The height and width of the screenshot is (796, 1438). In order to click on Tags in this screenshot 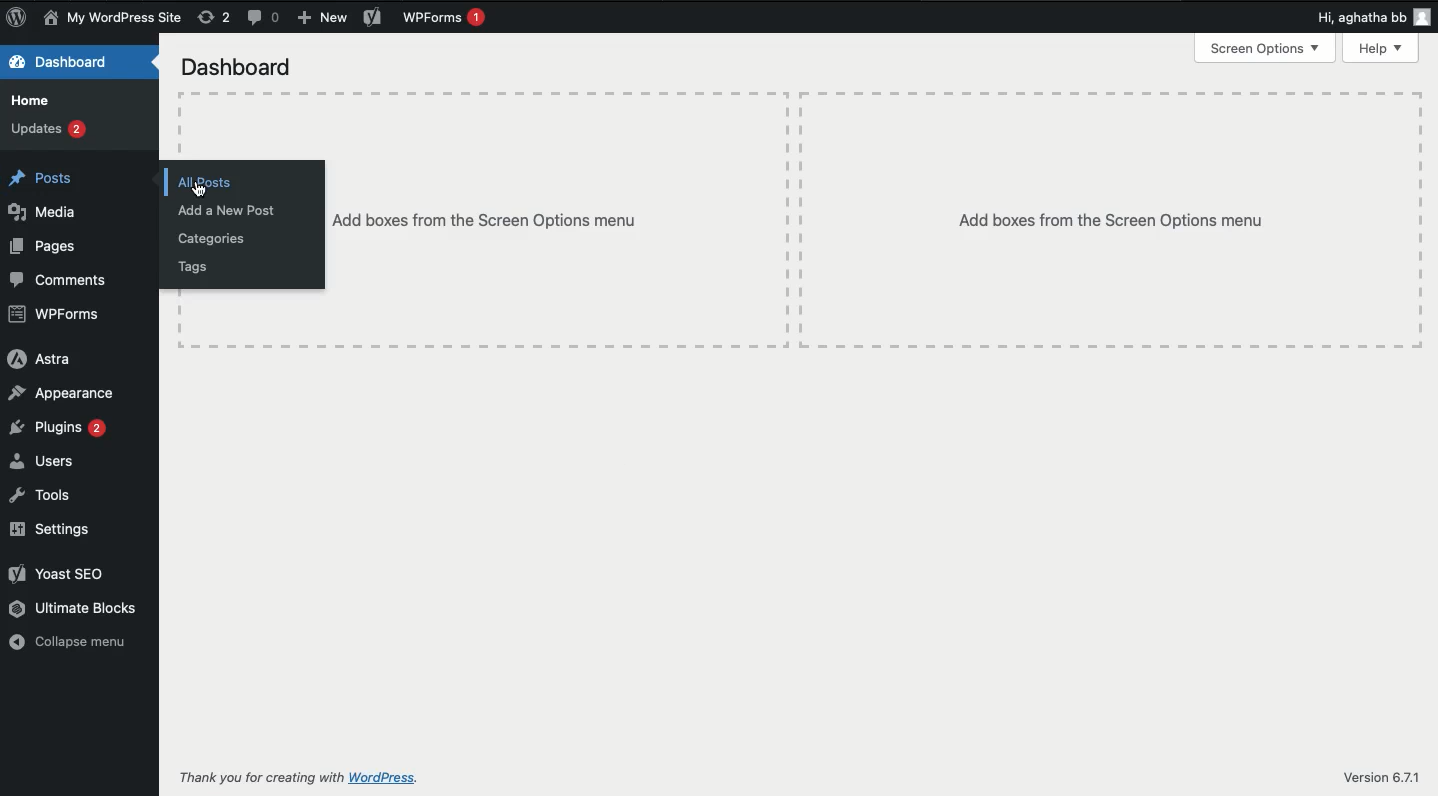, I will do `click(198, 266)`.